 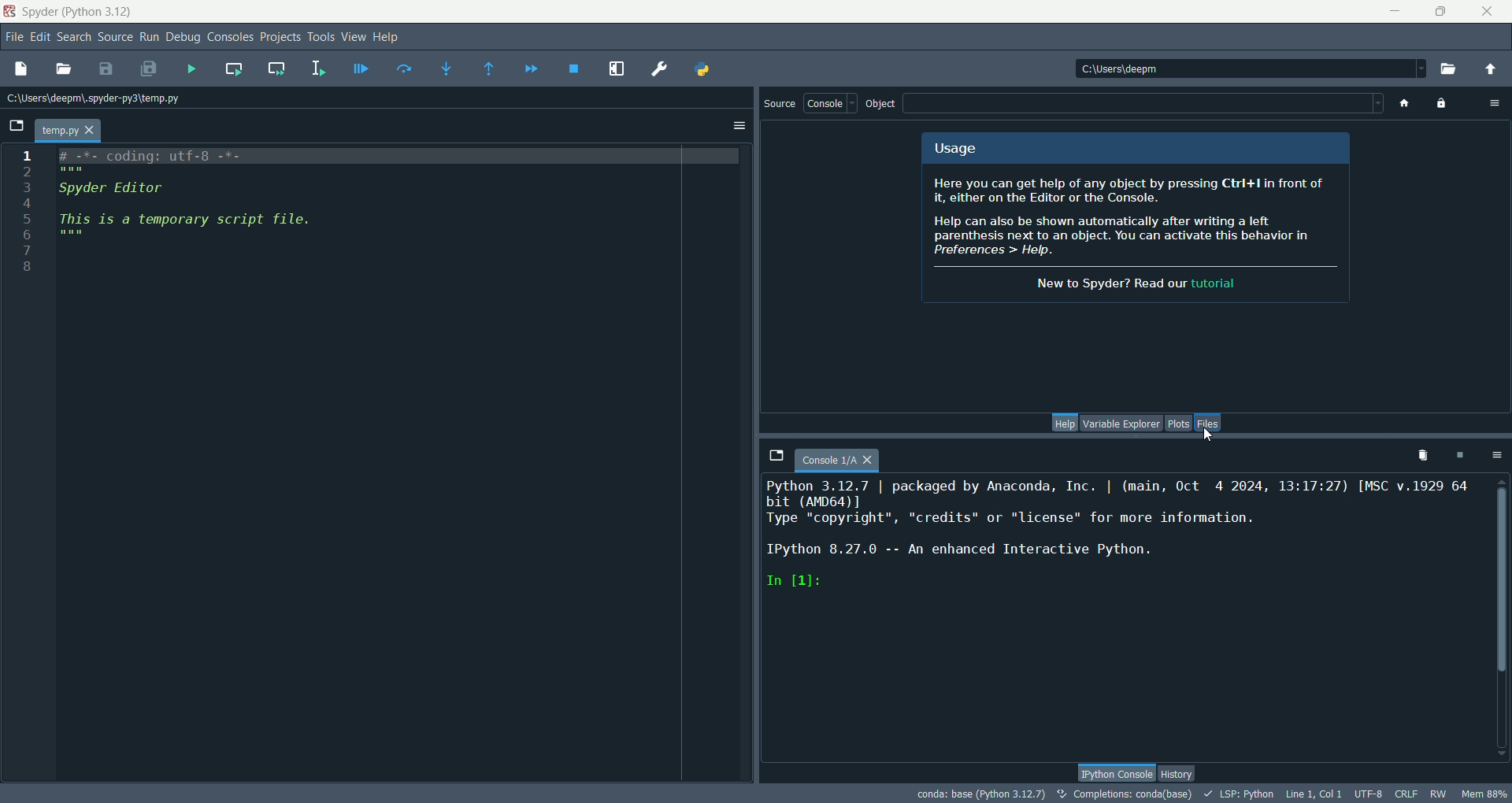 What do you see at coordinates (79, 12) in the screenshot?
I see `spyder` at bounding box center [79, 12].